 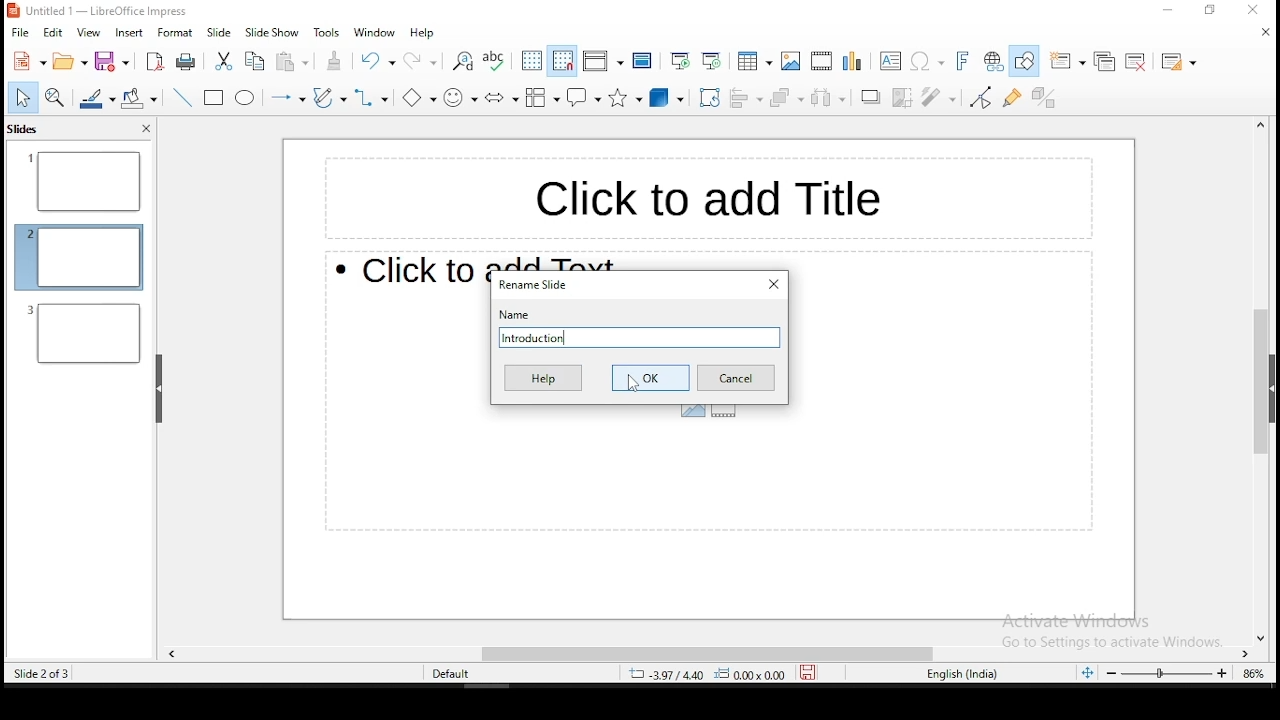 What do you see at coordinates (376, 61) in the screenshot?
I see `undo` at bounding box center [376, 61].